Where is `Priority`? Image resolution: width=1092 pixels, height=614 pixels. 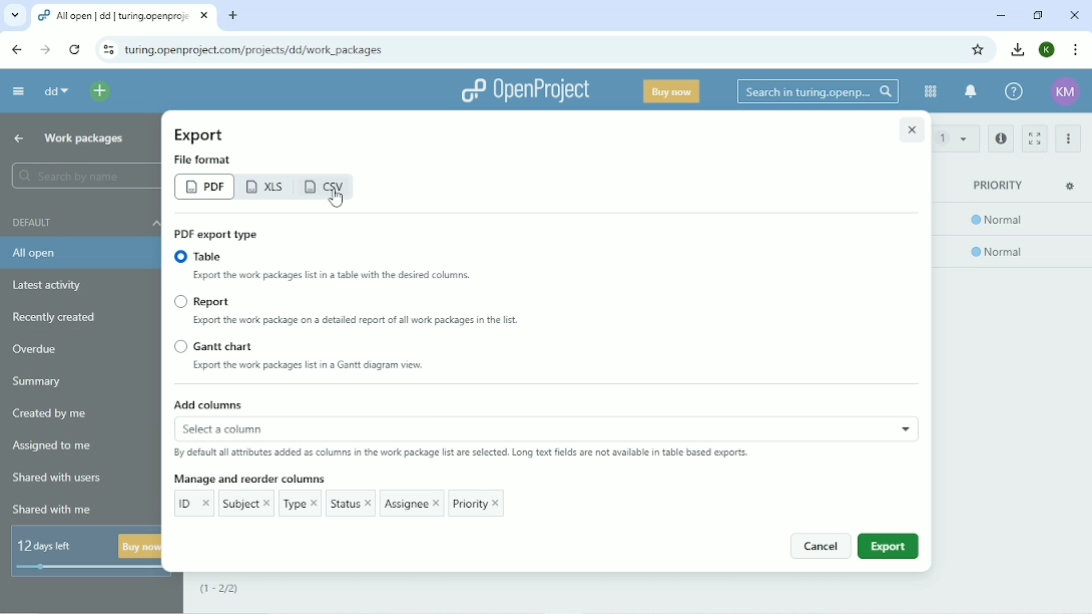
Priority is located at coordinates (998, 185).